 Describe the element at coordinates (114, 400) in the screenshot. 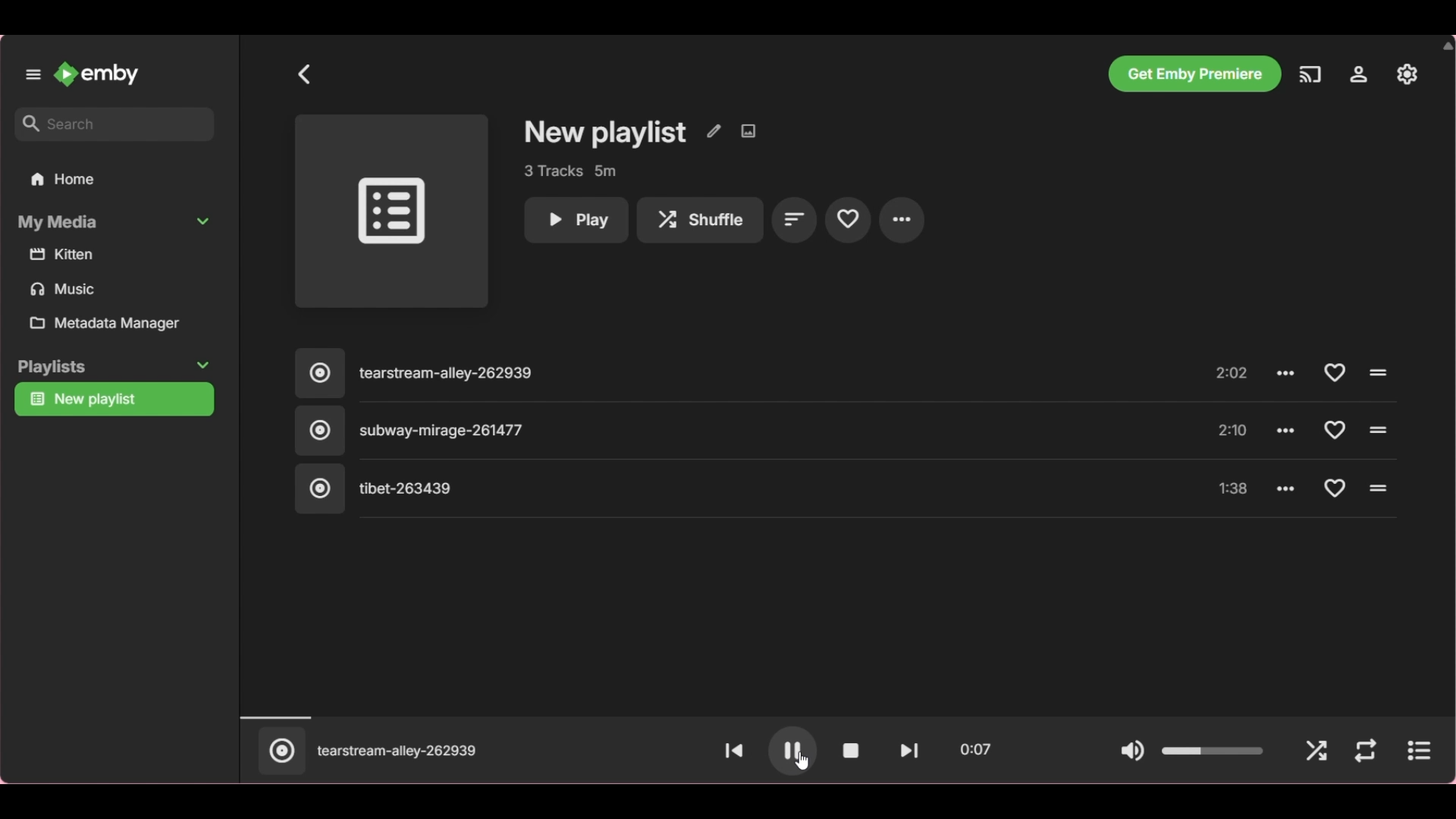

I see `Current playlist highlighted` at that location.